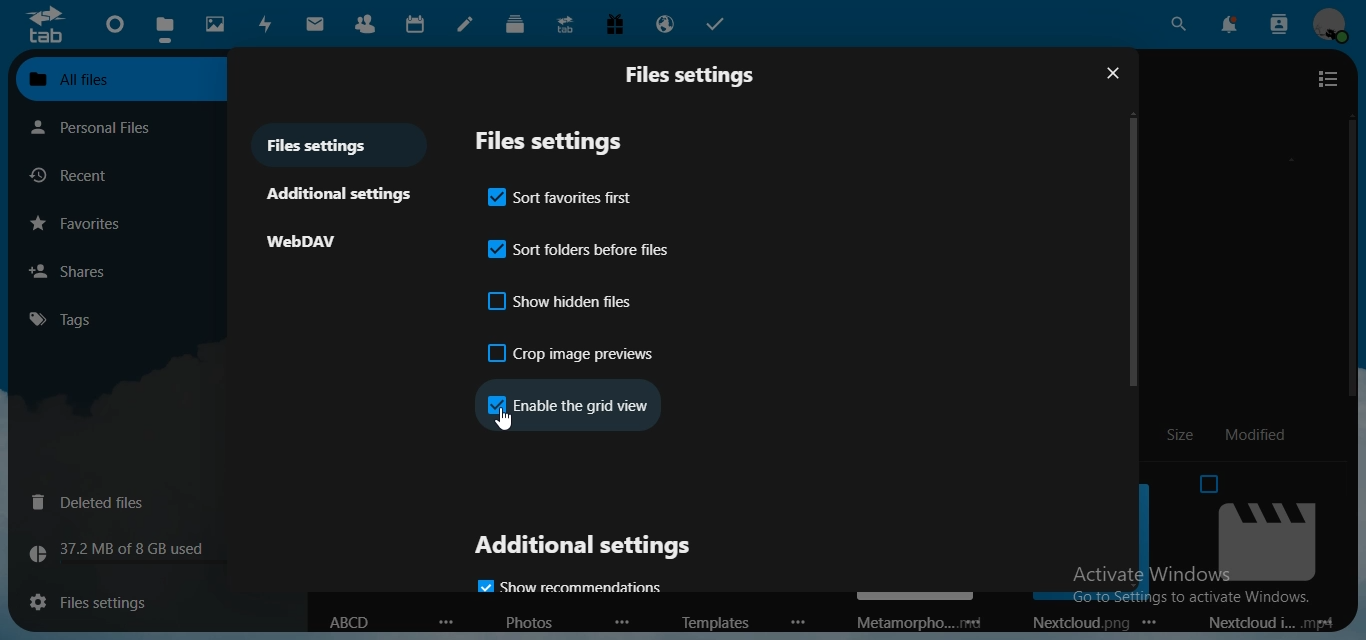  I want to click on icon, so click(45, 27).